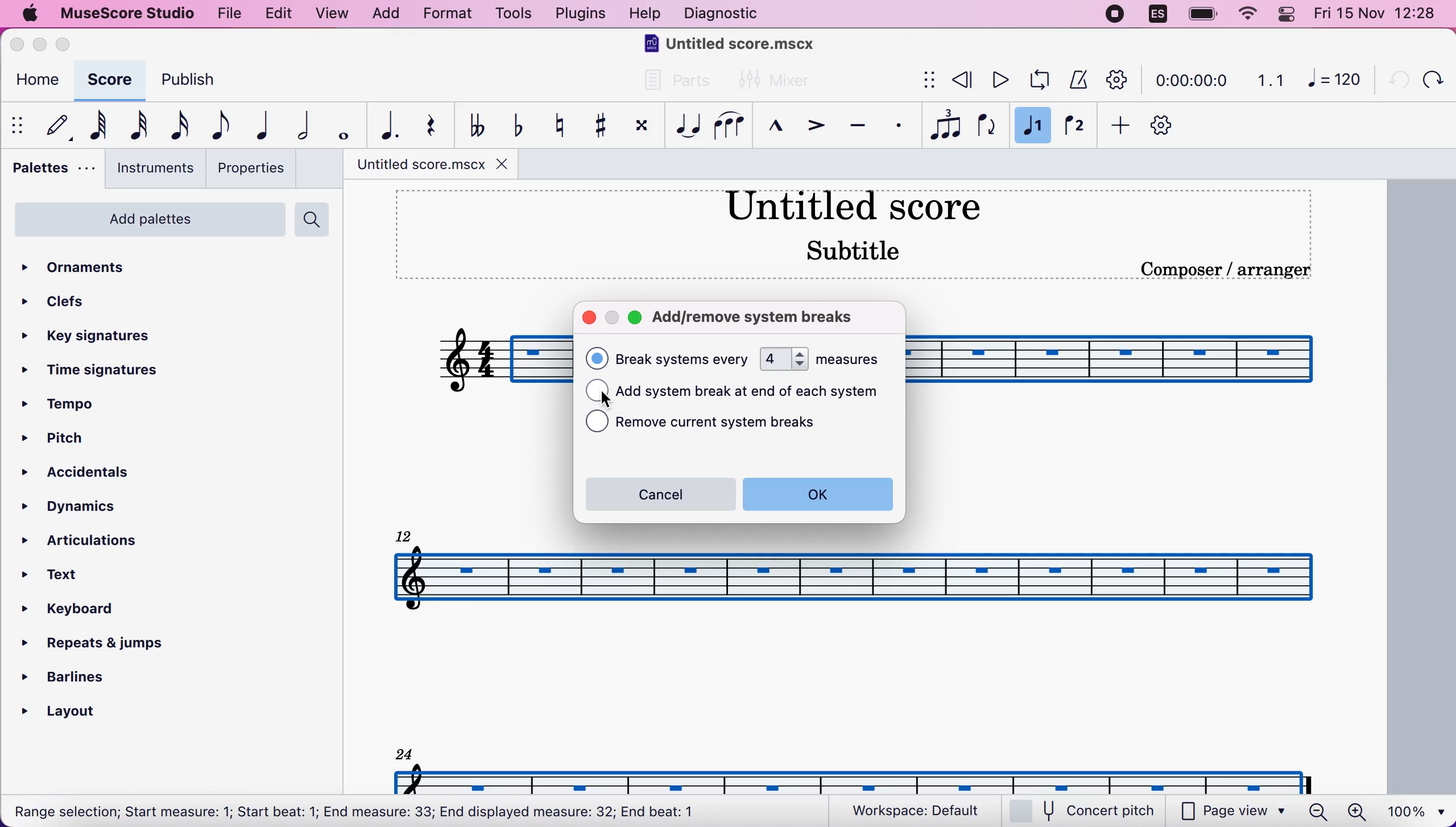 This screenshot has width=1456, height=827. Describe the element at coordinates (35, 82) in the screenshot. I see `home` at that location.